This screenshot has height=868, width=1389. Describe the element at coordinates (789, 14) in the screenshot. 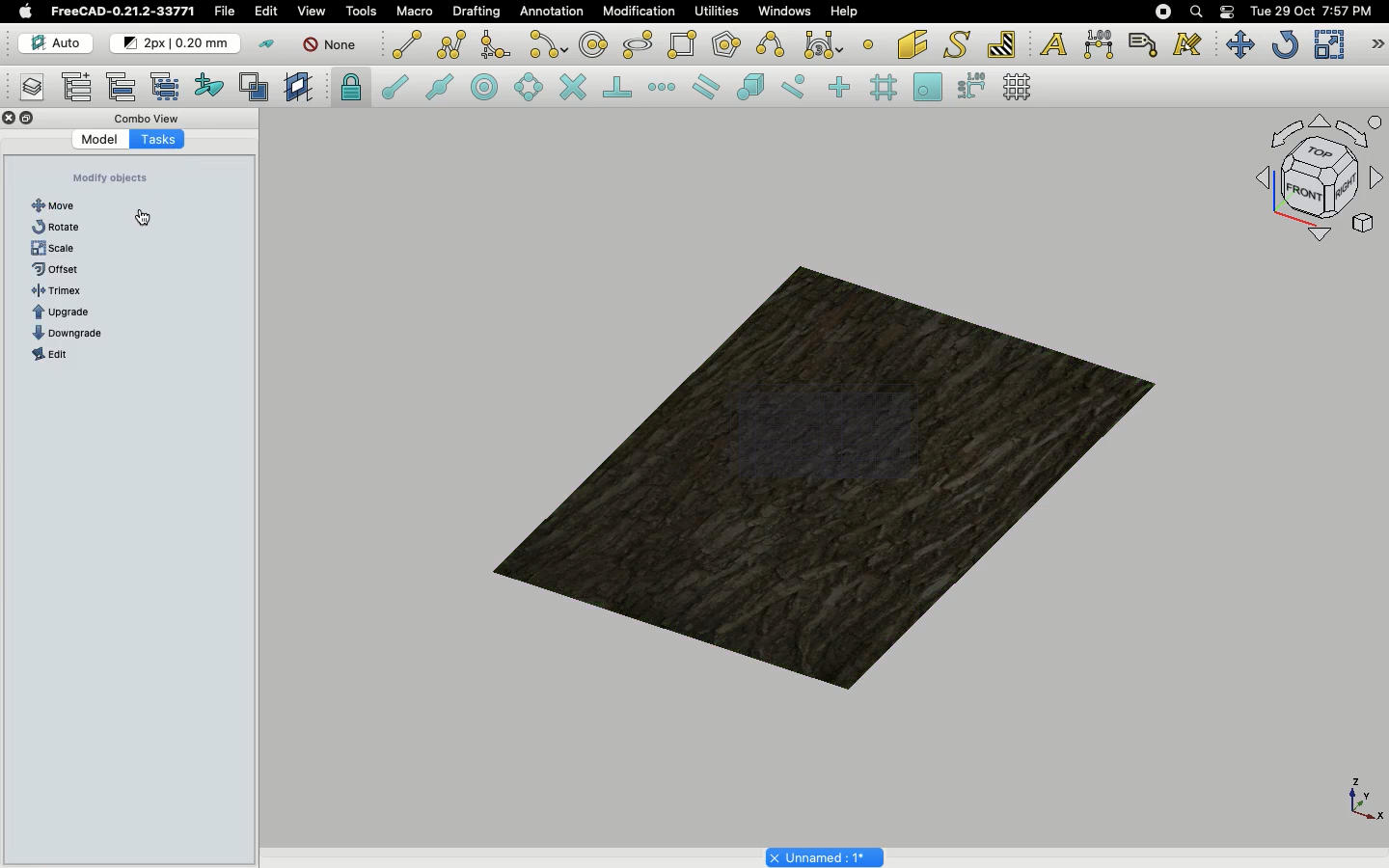

I see `Windows` at that location.